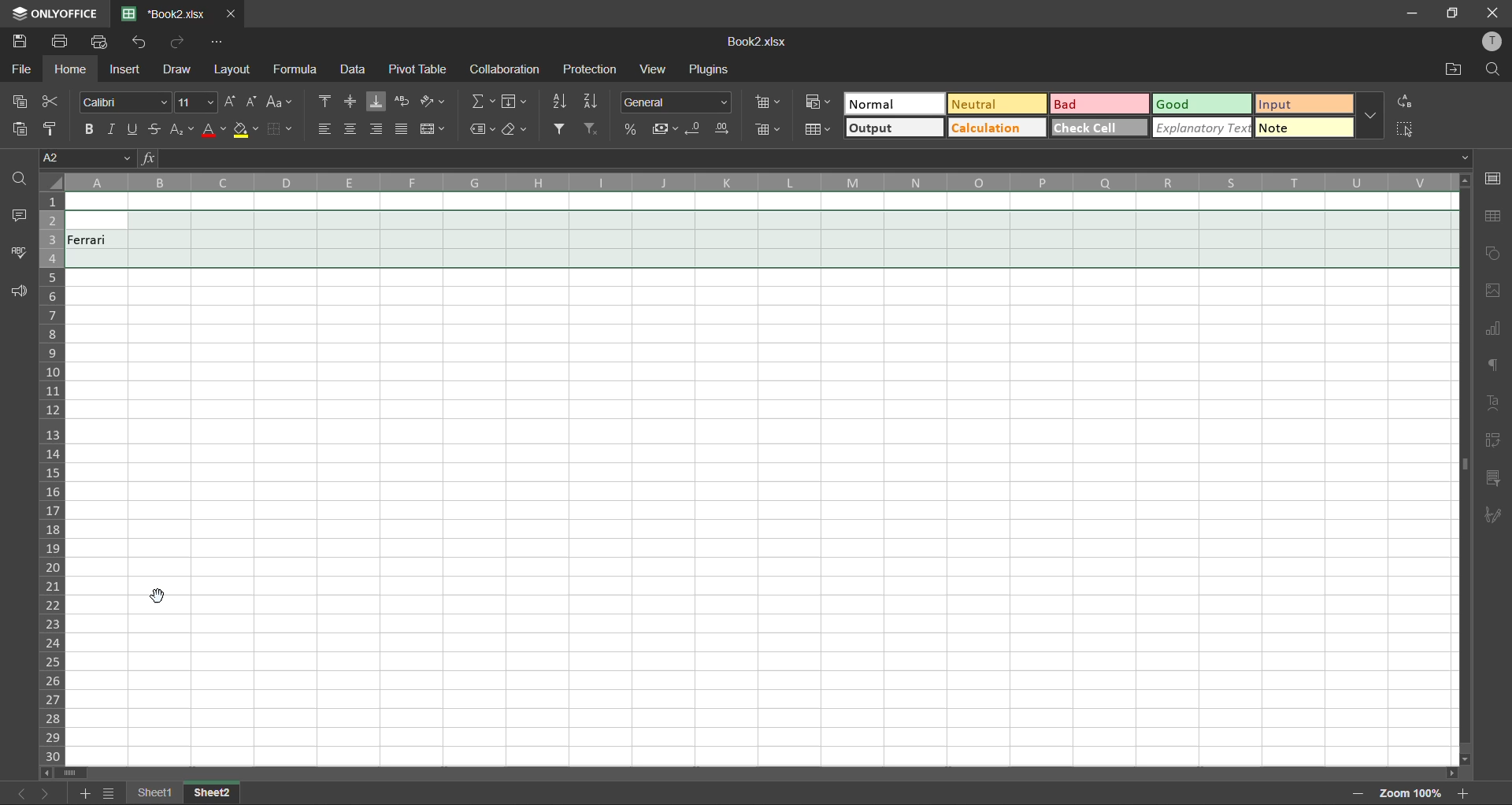  Describe the element at coordinates (106, 43) in the screenshot. I see `quick print` at that location.